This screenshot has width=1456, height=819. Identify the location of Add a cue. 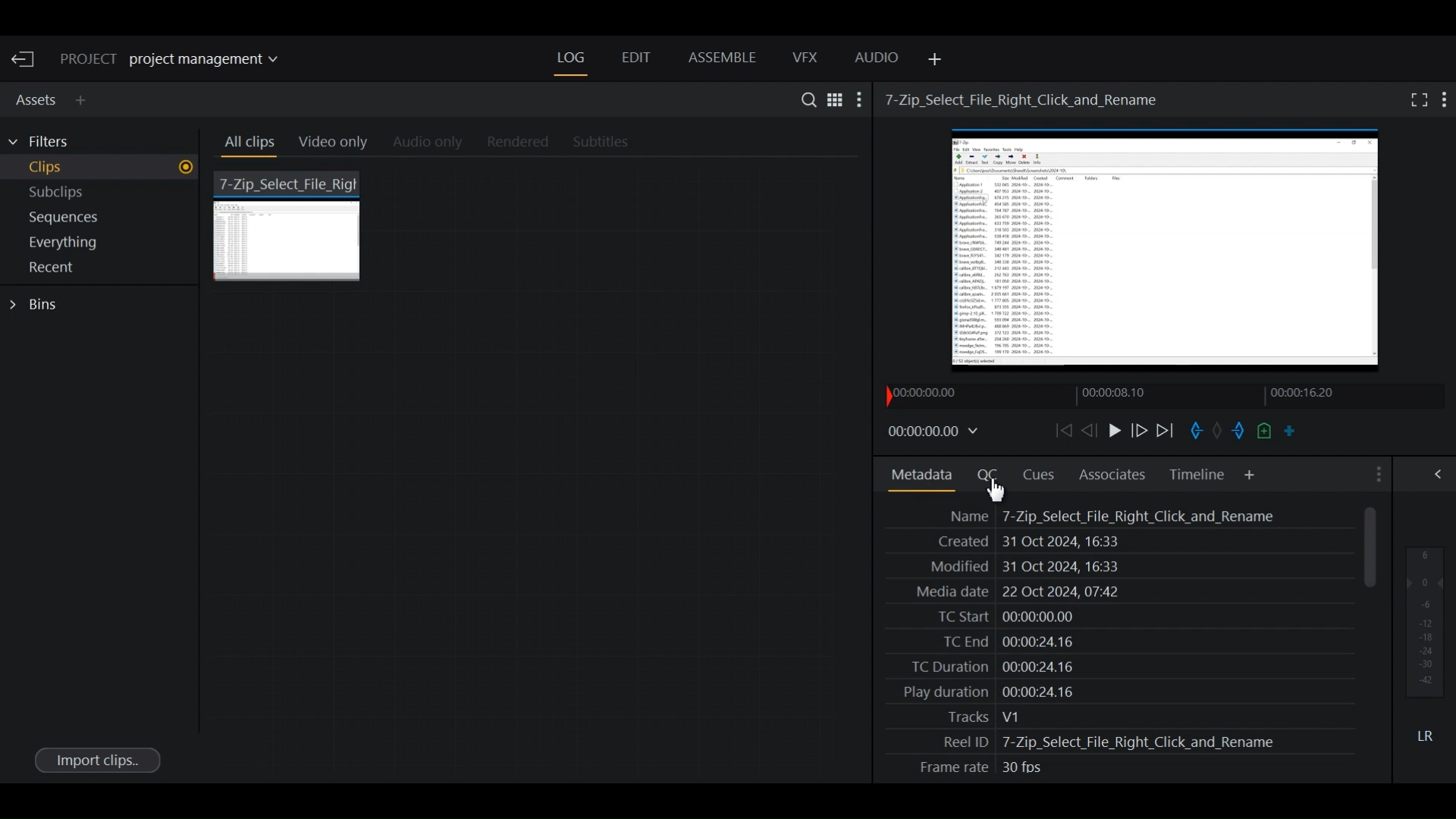
(1264, 431).